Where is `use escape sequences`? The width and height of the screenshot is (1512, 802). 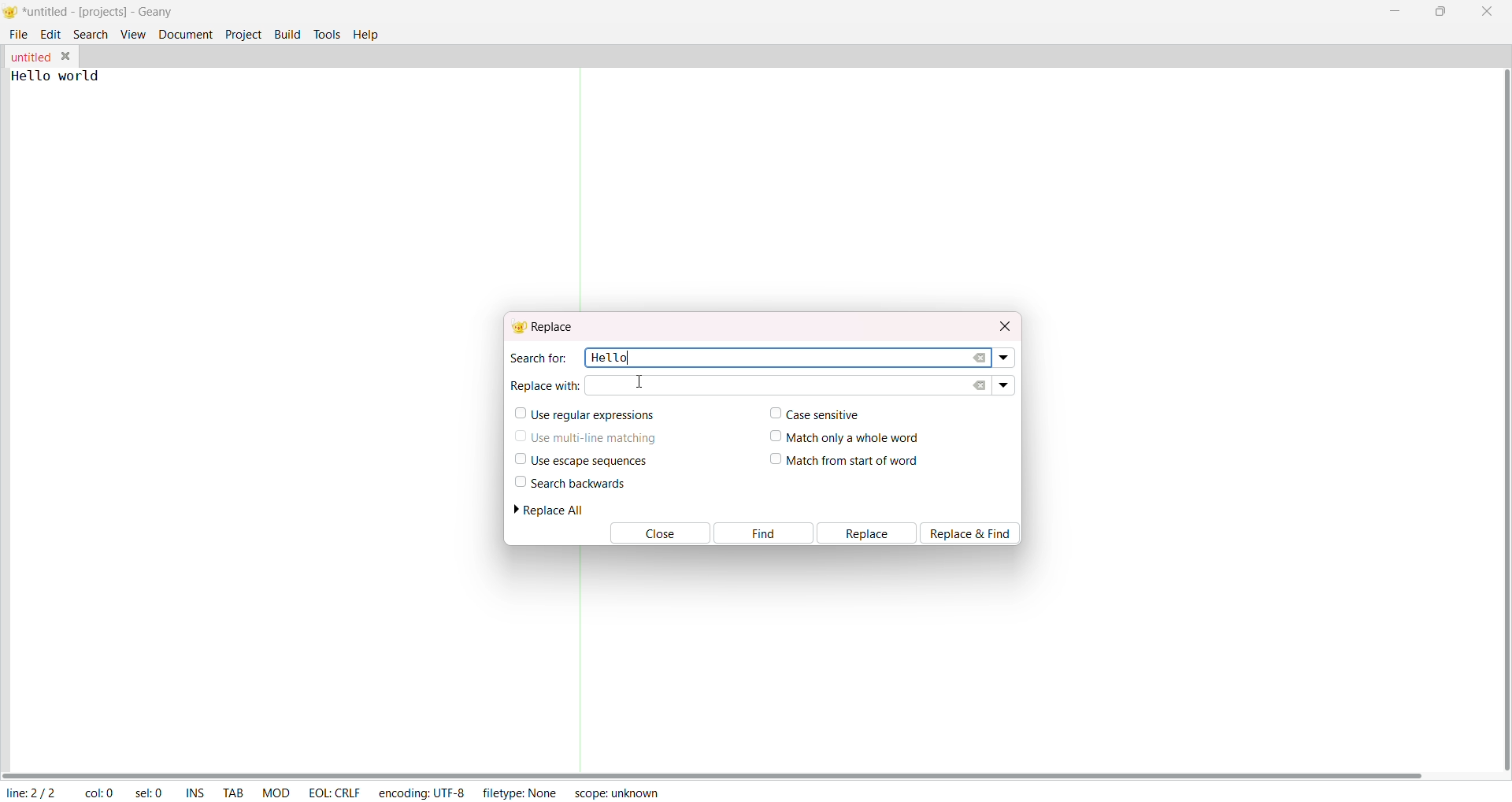 use escape sequences is located at coordinates (578, 460).